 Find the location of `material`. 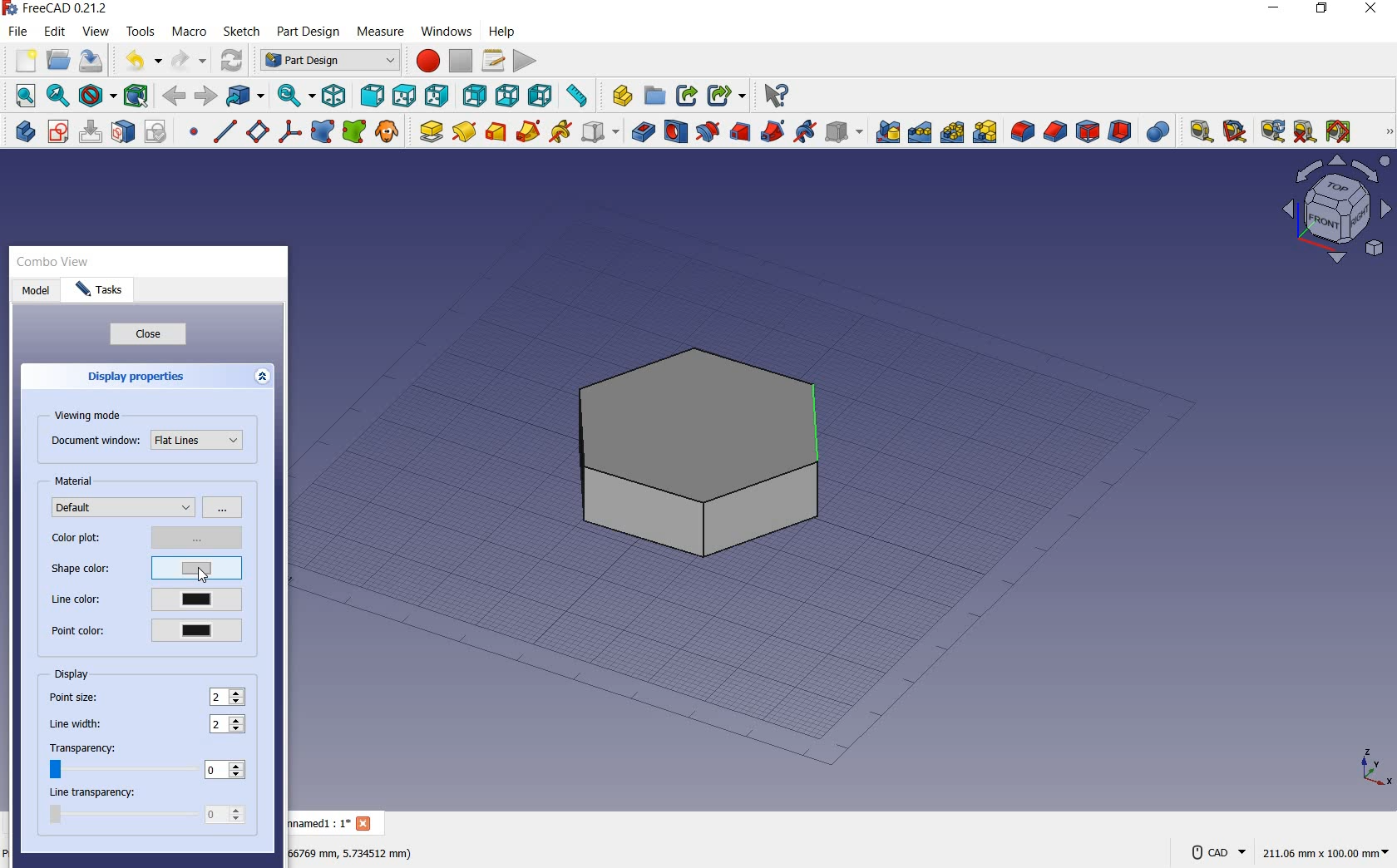

material is located at coordinates (80, 479).